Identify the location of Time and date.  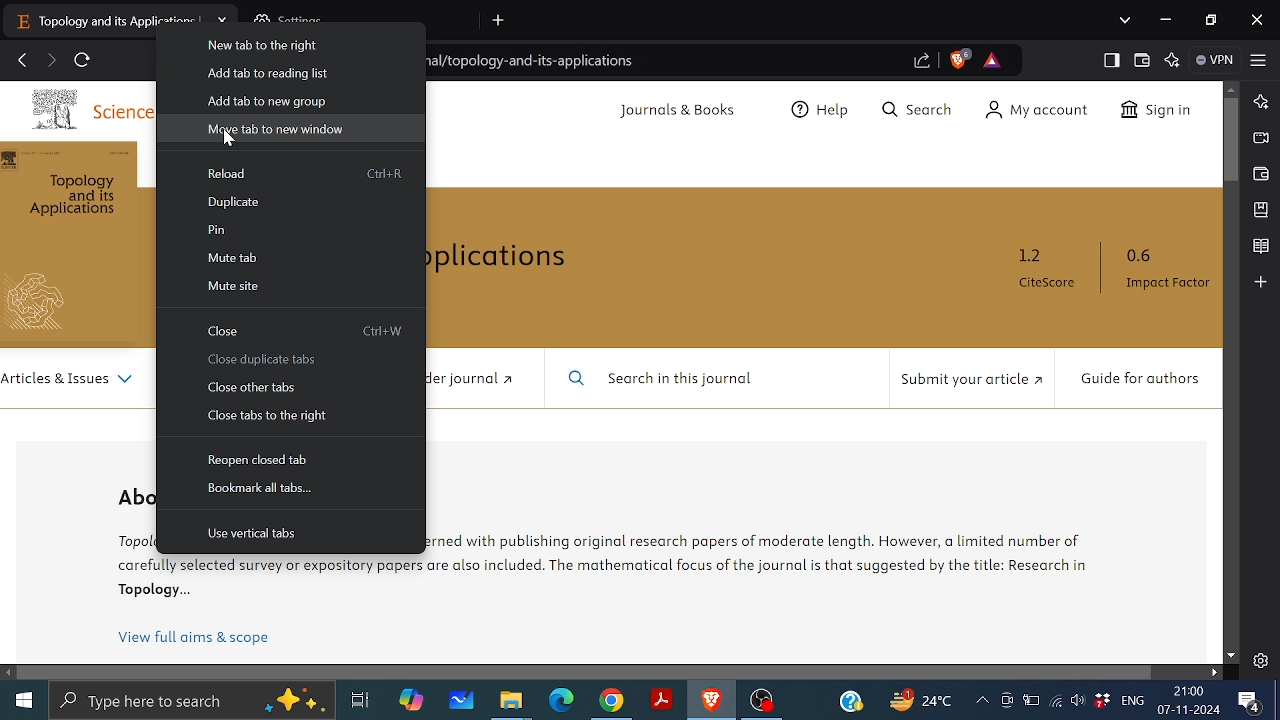
(1190, 702).